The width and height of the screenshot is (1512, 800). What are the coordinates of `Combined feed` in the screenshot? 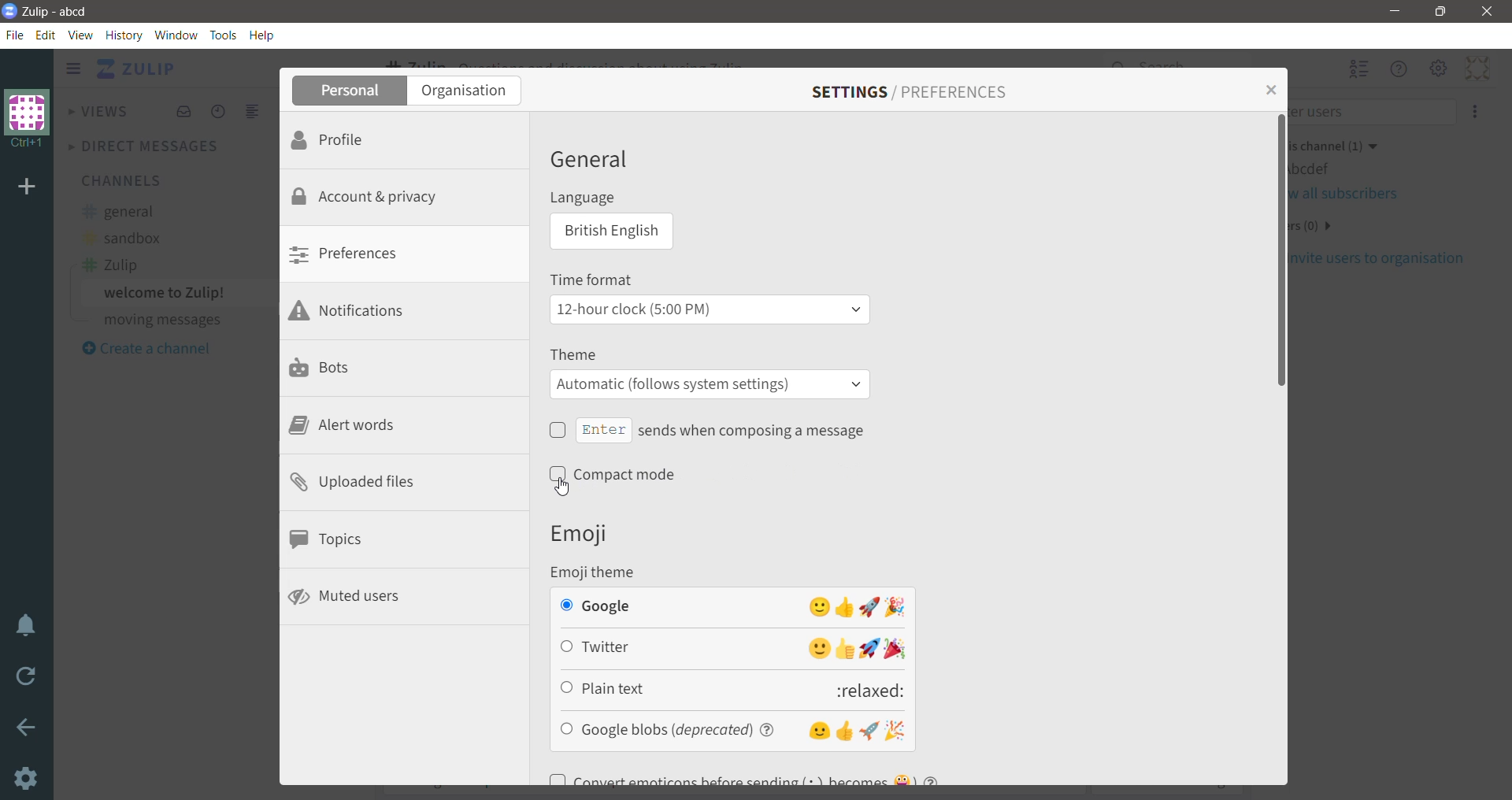 It's located at (254, 112).